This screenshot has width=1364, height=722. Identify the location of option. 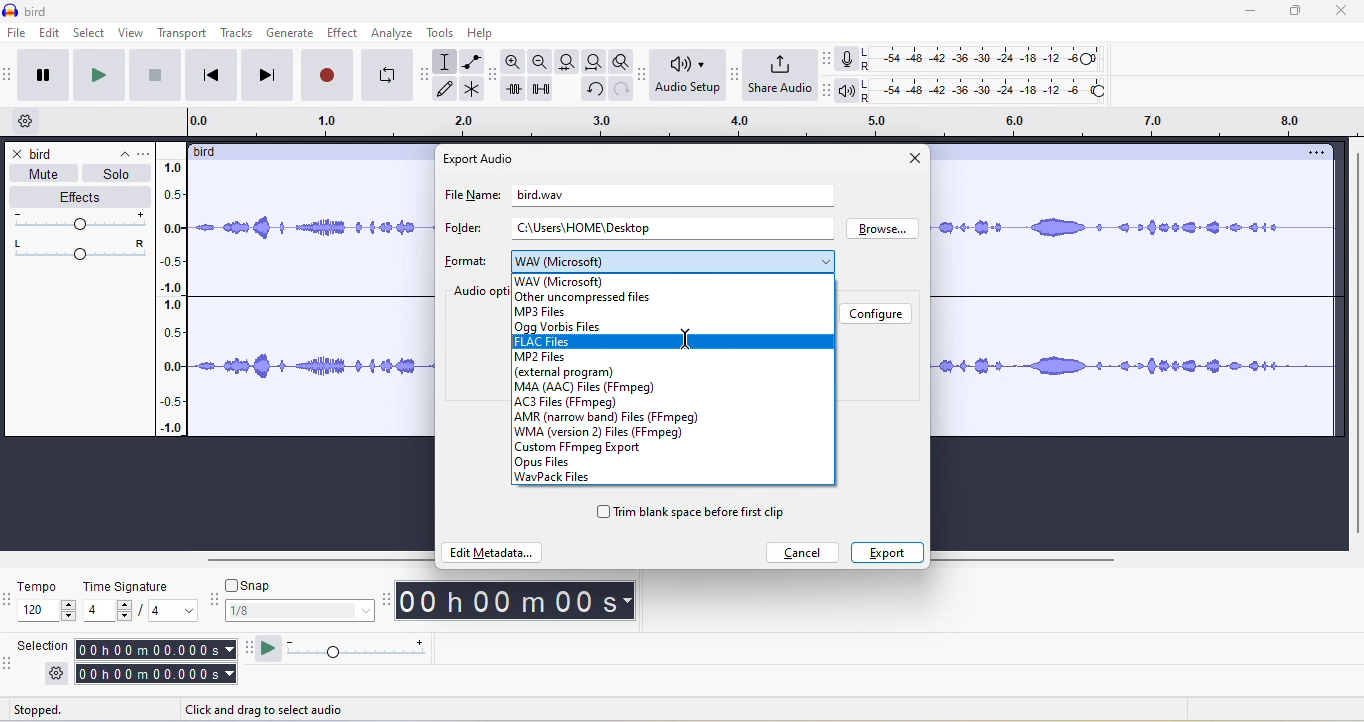
(1314, 153).